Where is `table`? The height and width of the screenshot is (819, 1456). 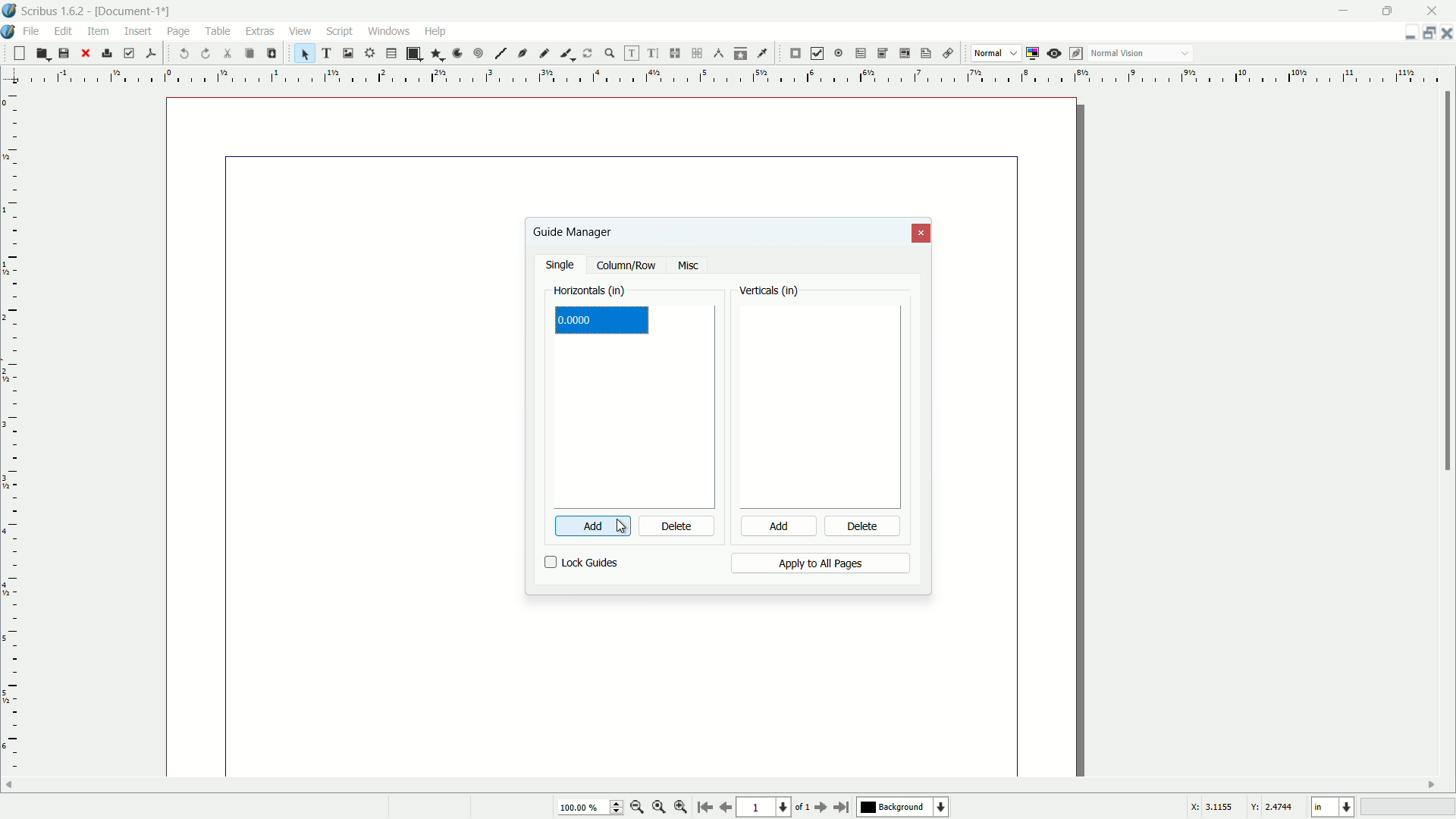
table is located at coordinates (391, 54).